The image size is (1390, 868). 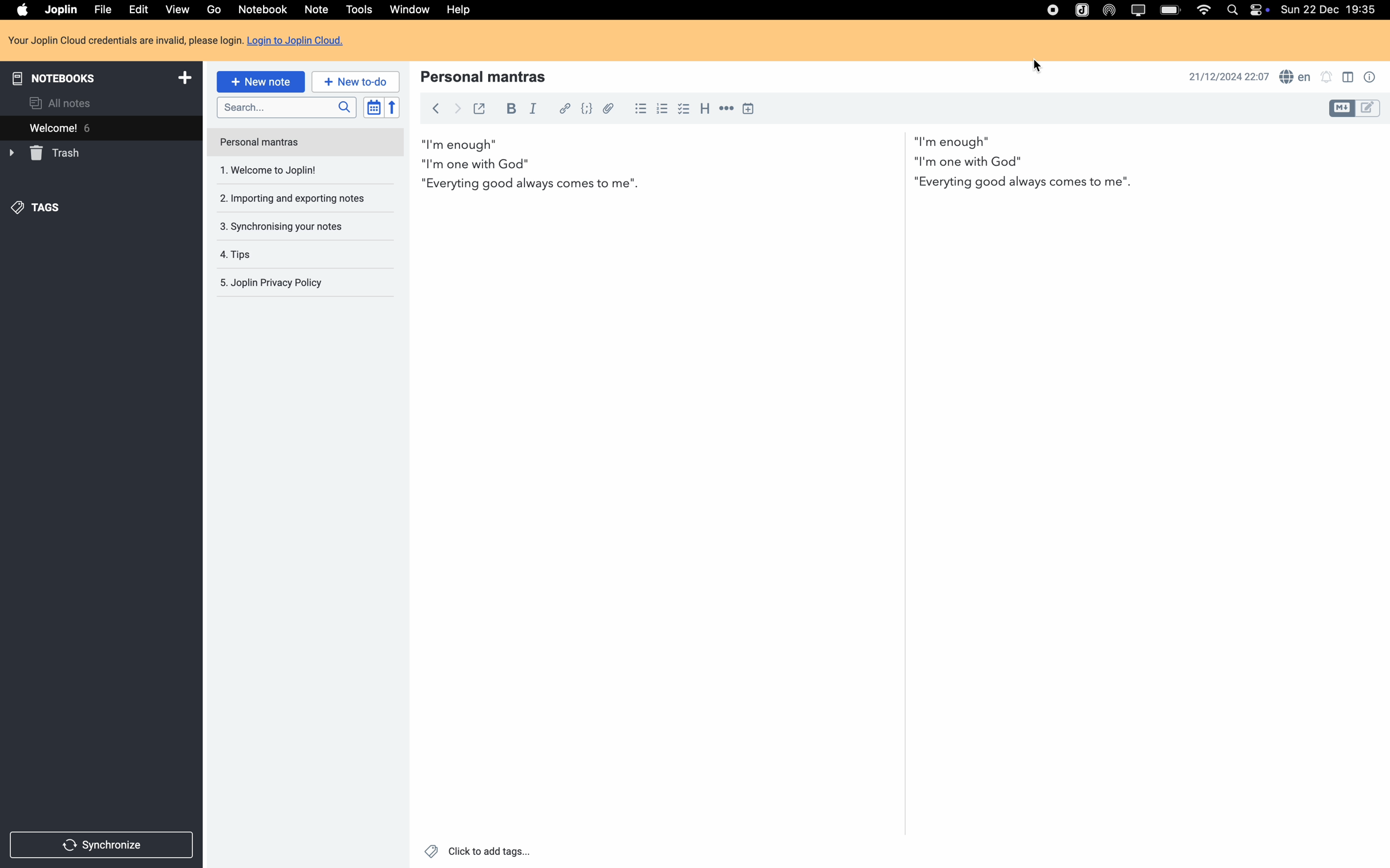 I want to click on toggle editor layout, so click(x=1341, y=108).